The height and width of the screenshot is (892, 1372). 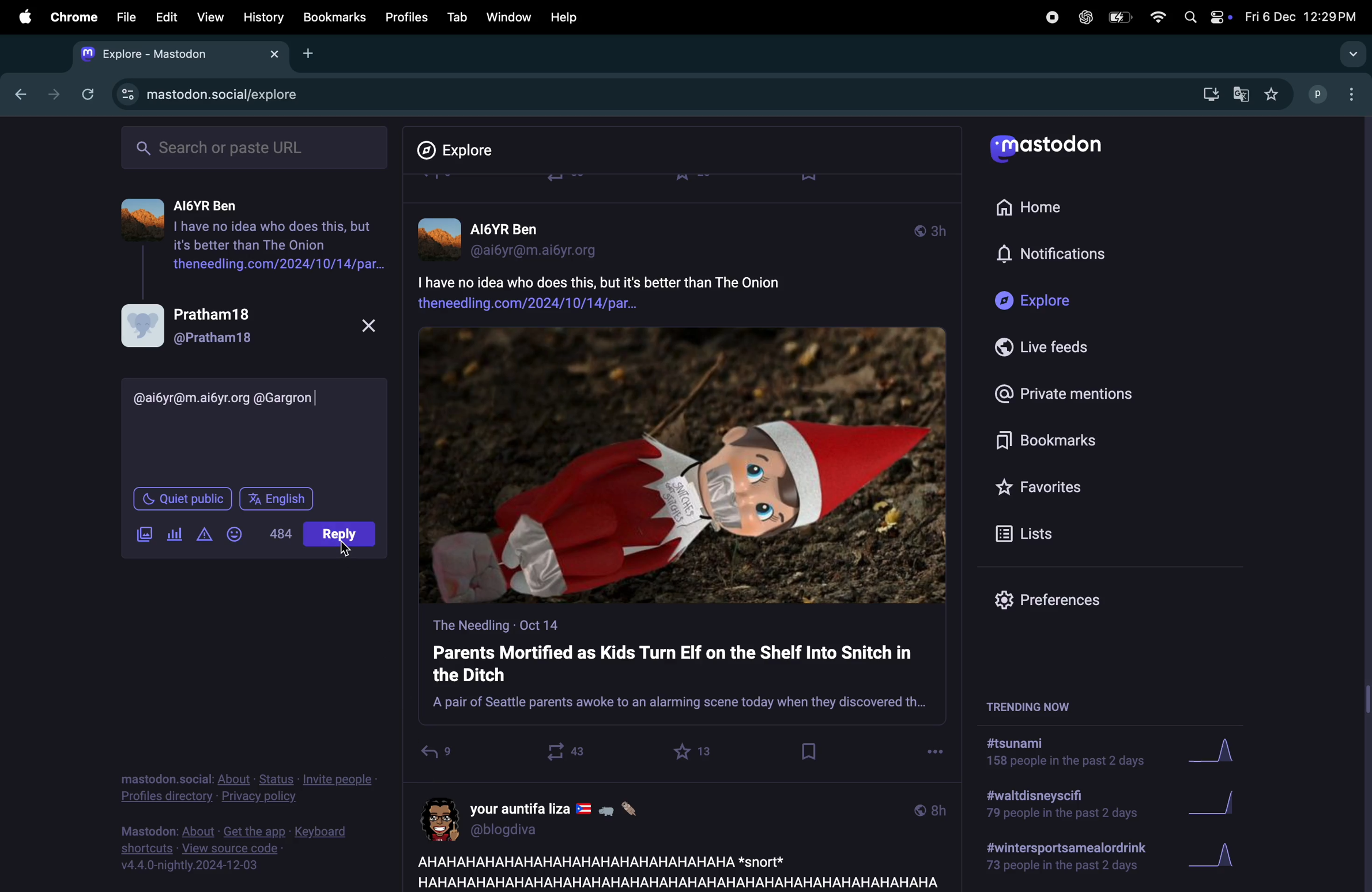 I want to click on drop down, so click(x=1349, y=55).